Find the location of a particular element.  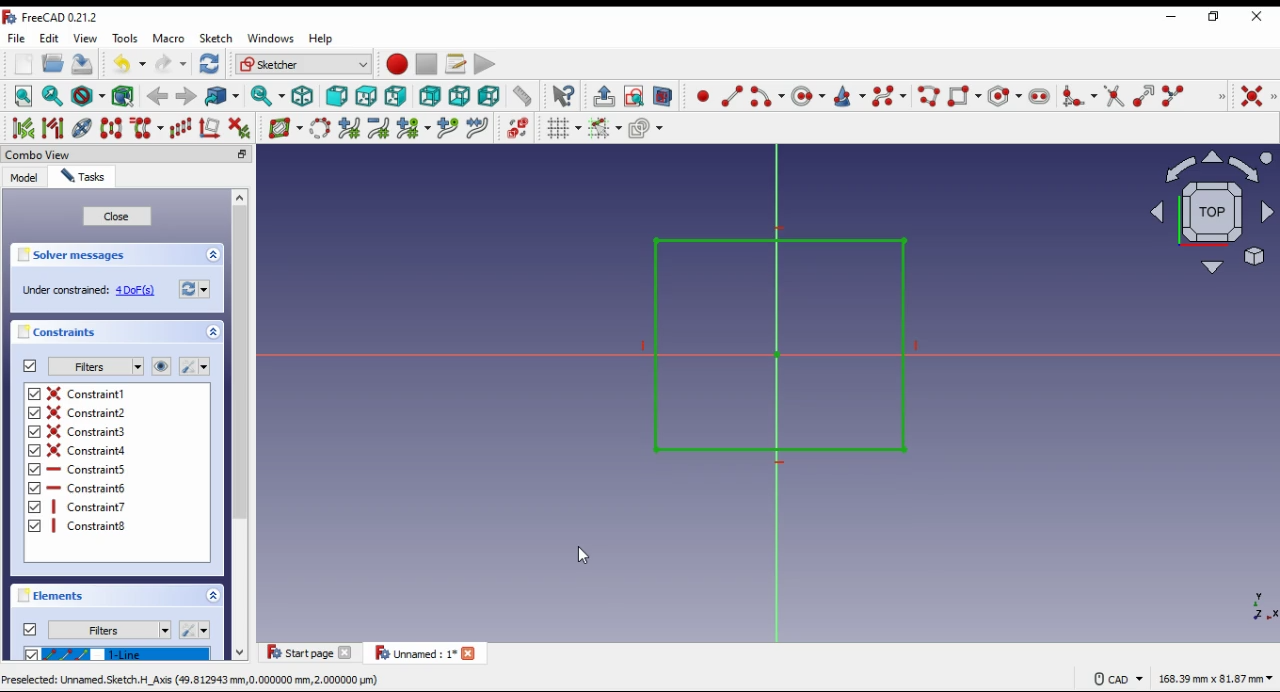

scroll bar is located at coordinates (242, 426).